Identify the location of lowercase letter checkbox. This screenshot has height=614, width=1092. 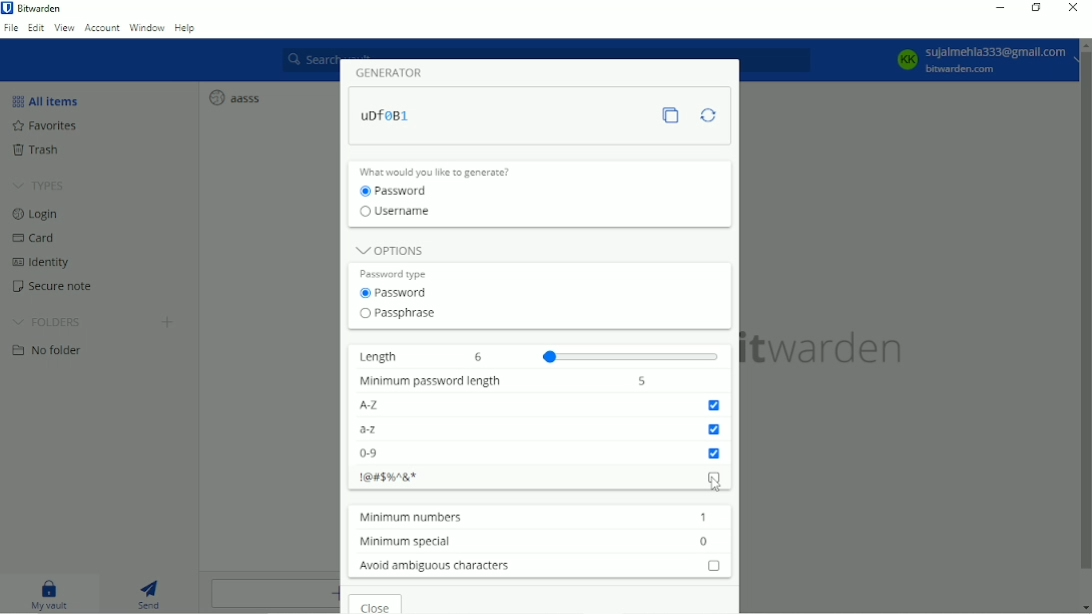
(714, 432).